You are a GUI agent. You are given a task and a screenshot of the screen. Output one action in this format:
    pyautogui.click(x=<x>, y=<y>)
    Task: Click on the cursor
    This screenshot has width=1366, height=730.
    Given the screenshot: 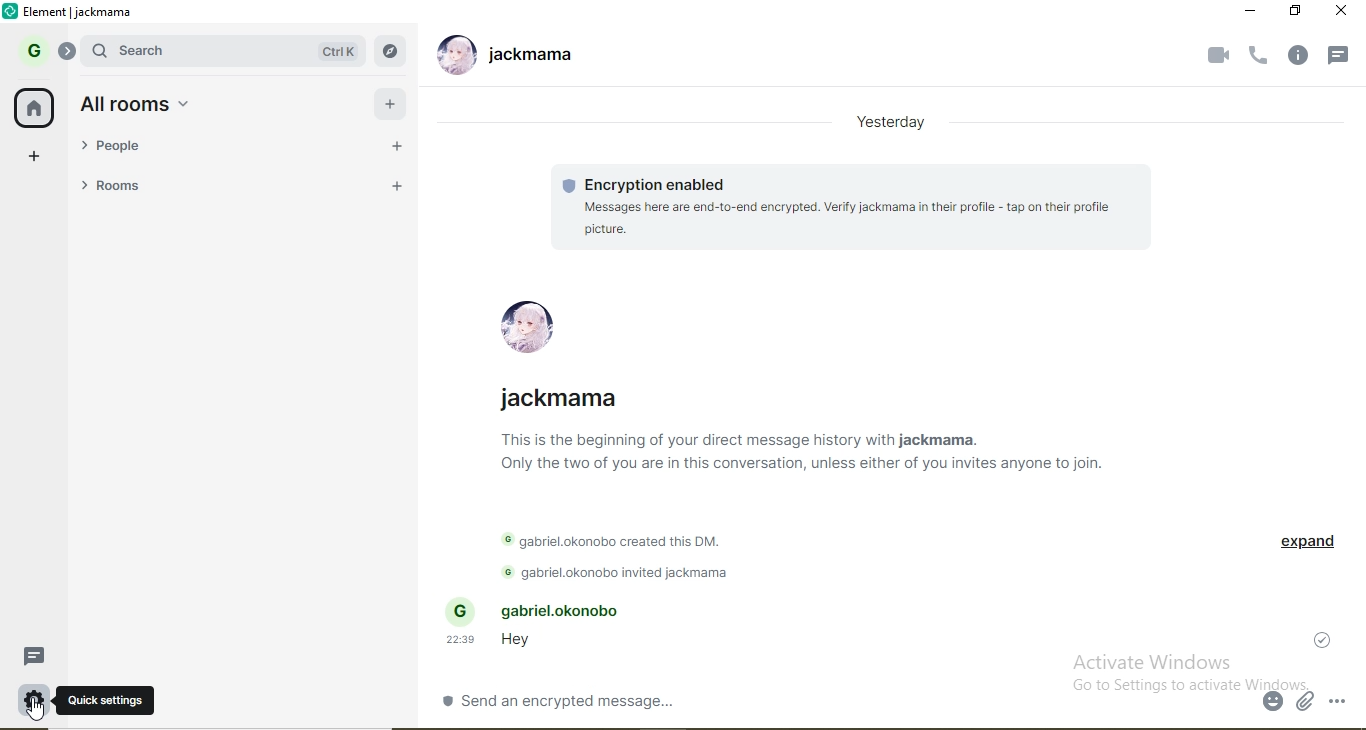 What is the action you would take?
    pyautogui.click(x=35, y=710)
    